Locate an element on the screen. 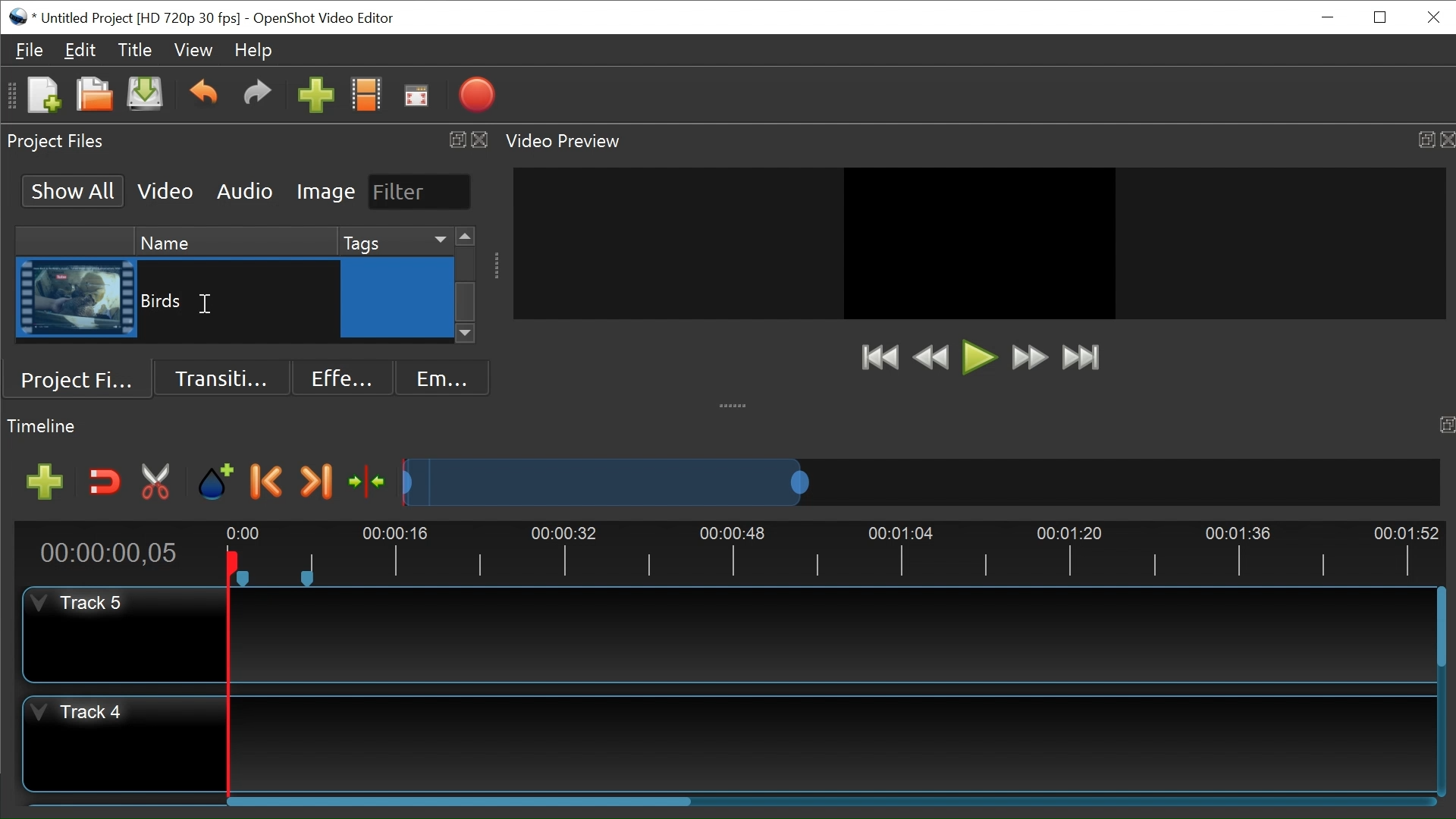  Clip is located at coordinates (77, 298).